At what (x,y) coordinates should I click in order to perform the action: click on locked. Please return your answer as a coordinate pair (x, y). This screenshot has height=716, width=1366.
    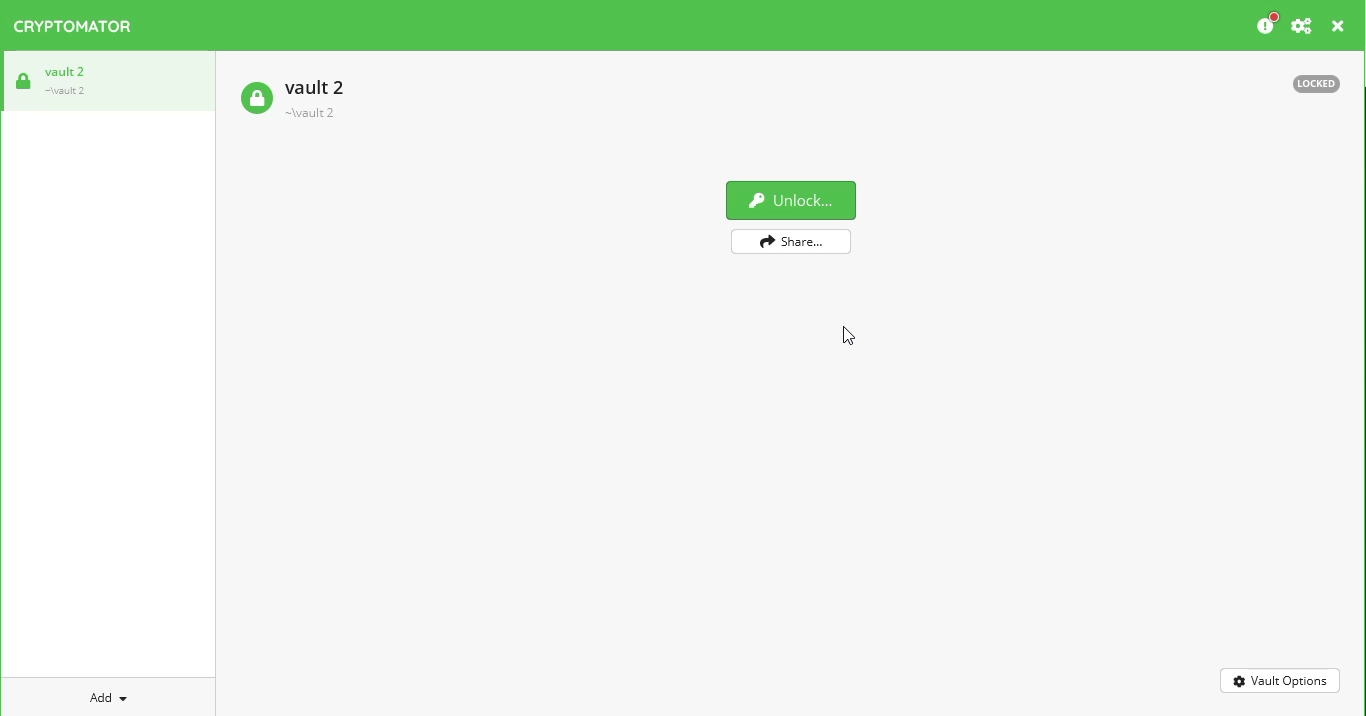
    Looking at the image, I should click on (1316, 84).